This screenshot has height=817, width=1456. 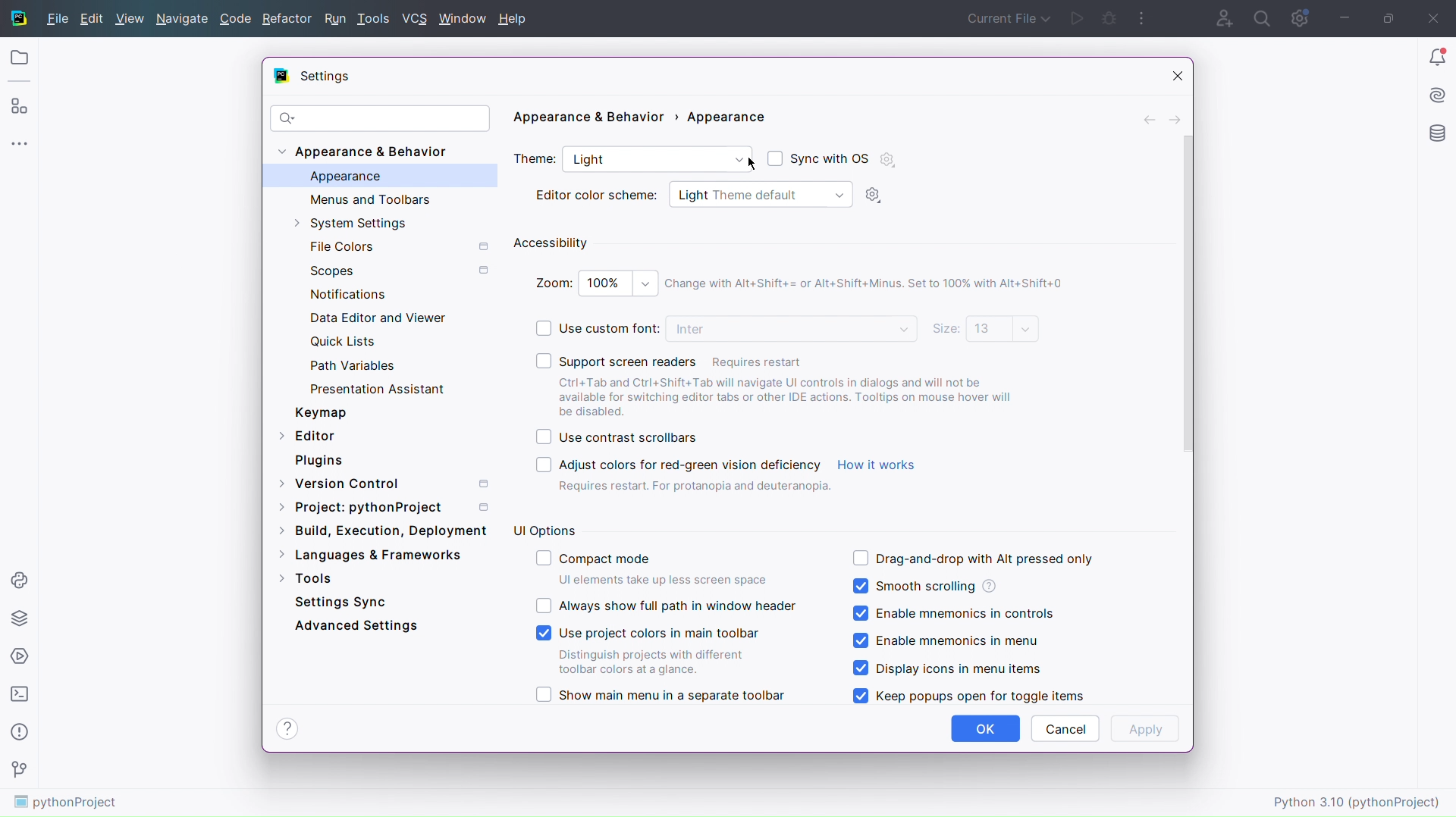 I want to click on Install AI assistant, so click(x=1437, y=93).